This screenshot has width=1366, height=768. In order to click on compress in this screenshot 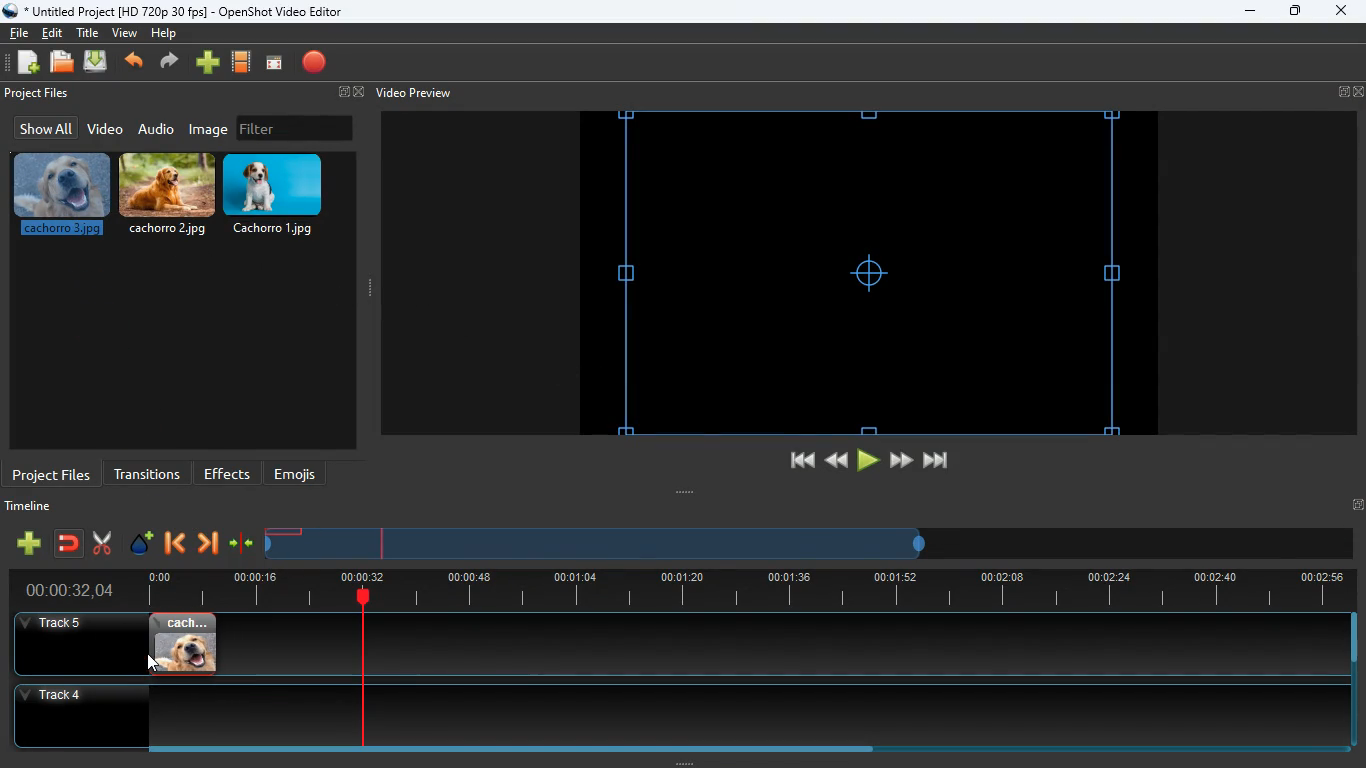, I will do `click(242, 544)`.